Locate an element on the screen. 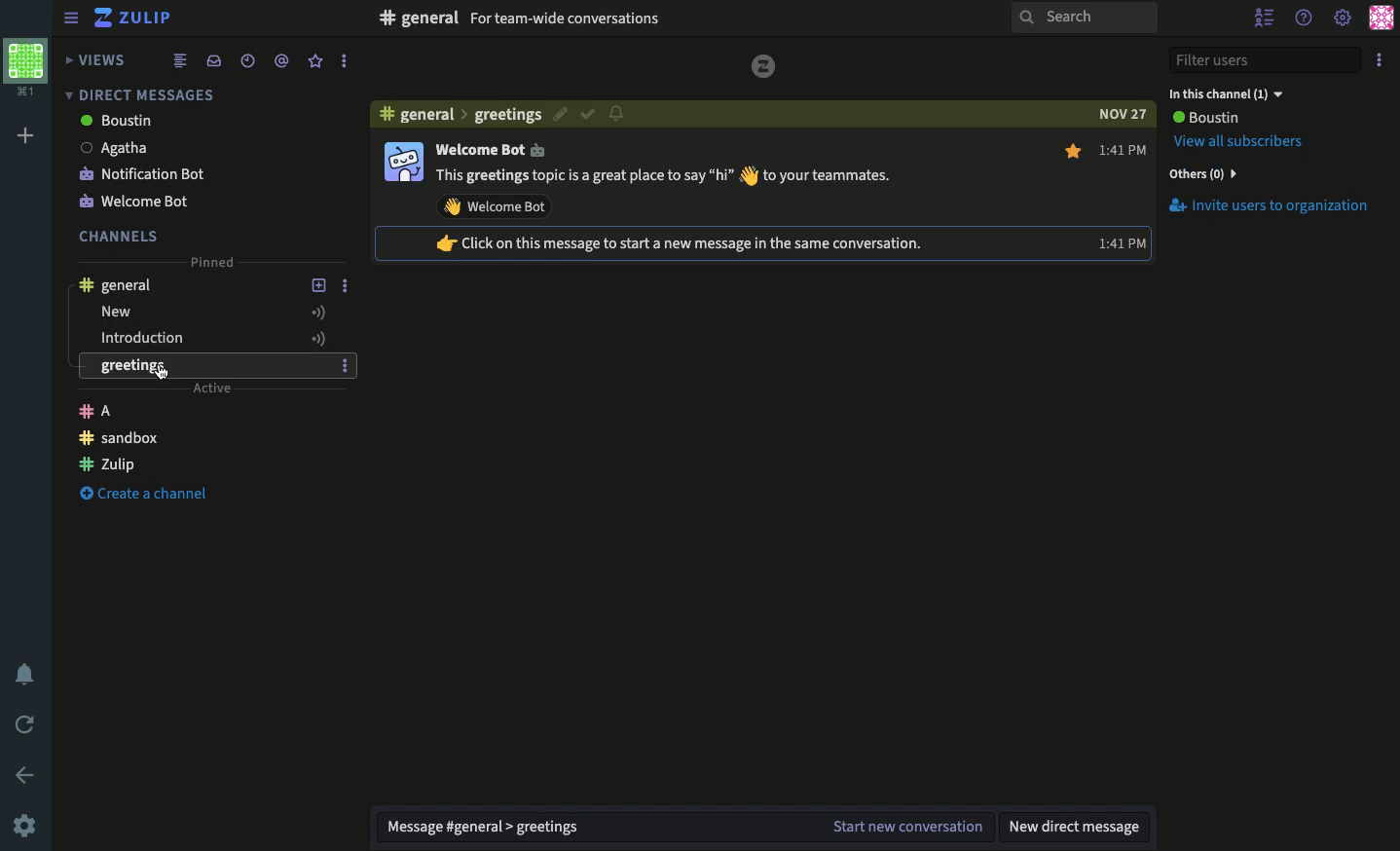  Inbox is located at coordinates (213, 60).